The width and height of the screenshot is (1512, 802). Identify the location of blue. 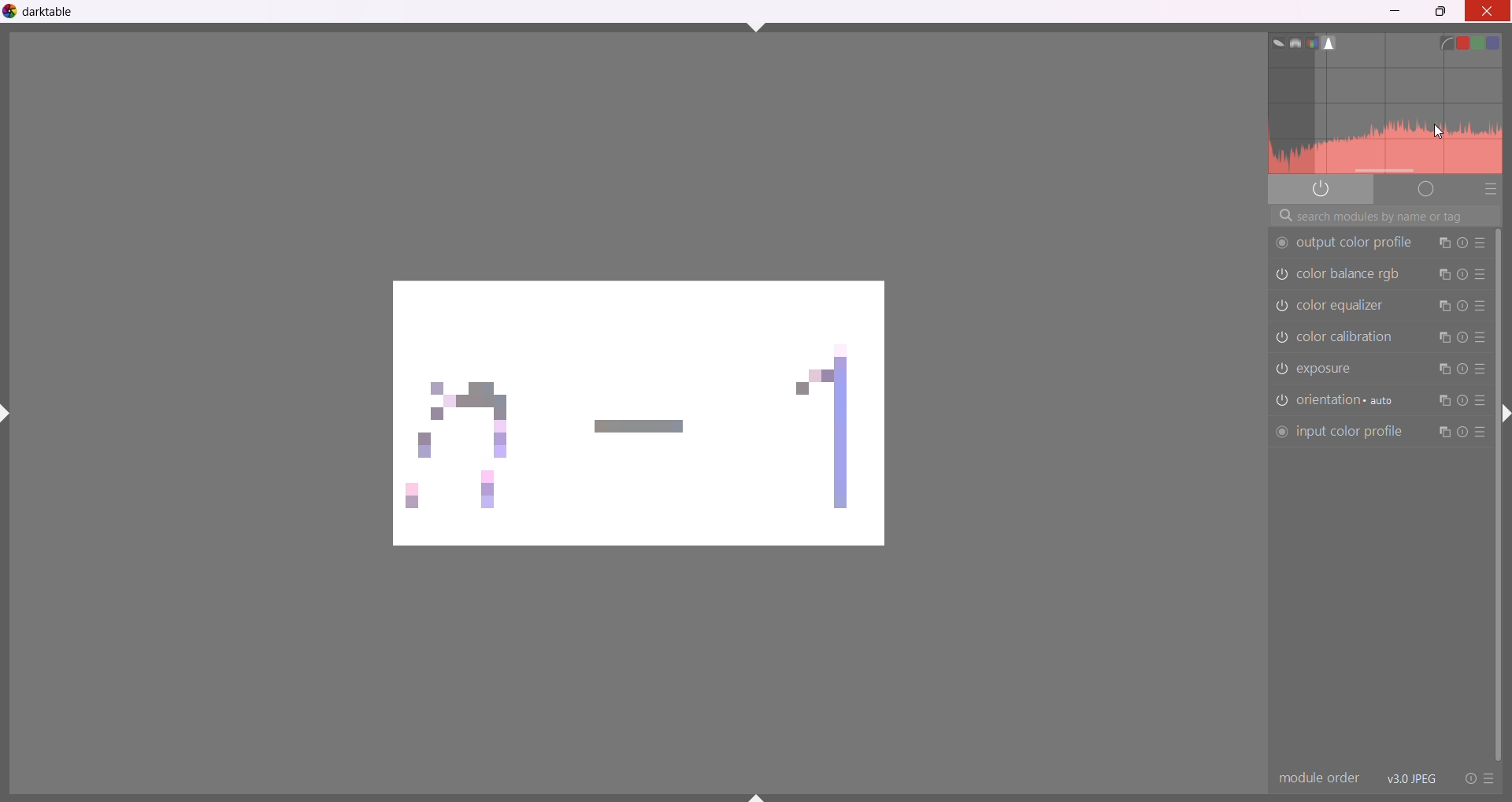
(1504, 41).